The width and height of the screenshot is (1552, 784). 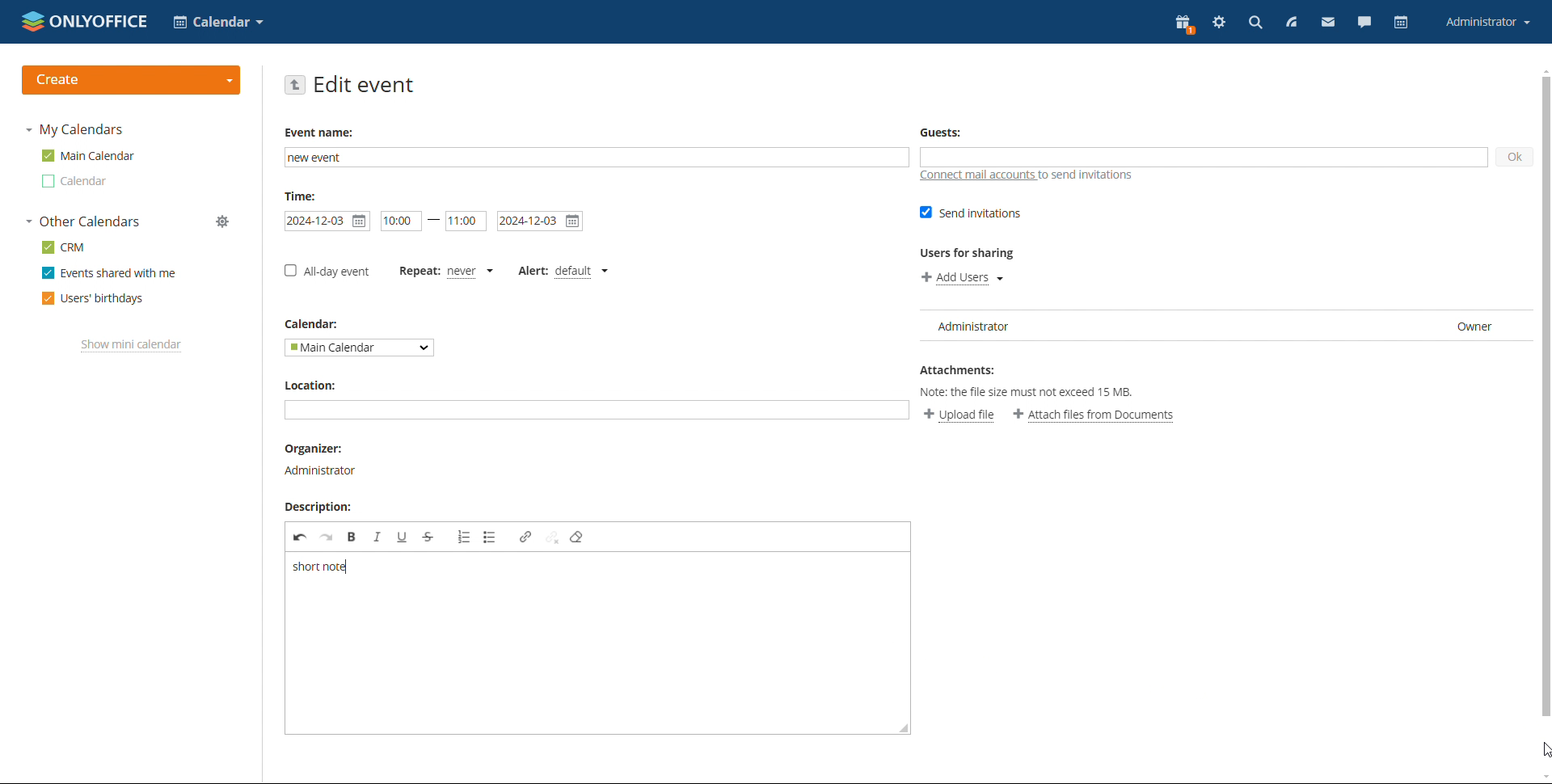 I want to click on events shared with me, so click(x=110, y=272).